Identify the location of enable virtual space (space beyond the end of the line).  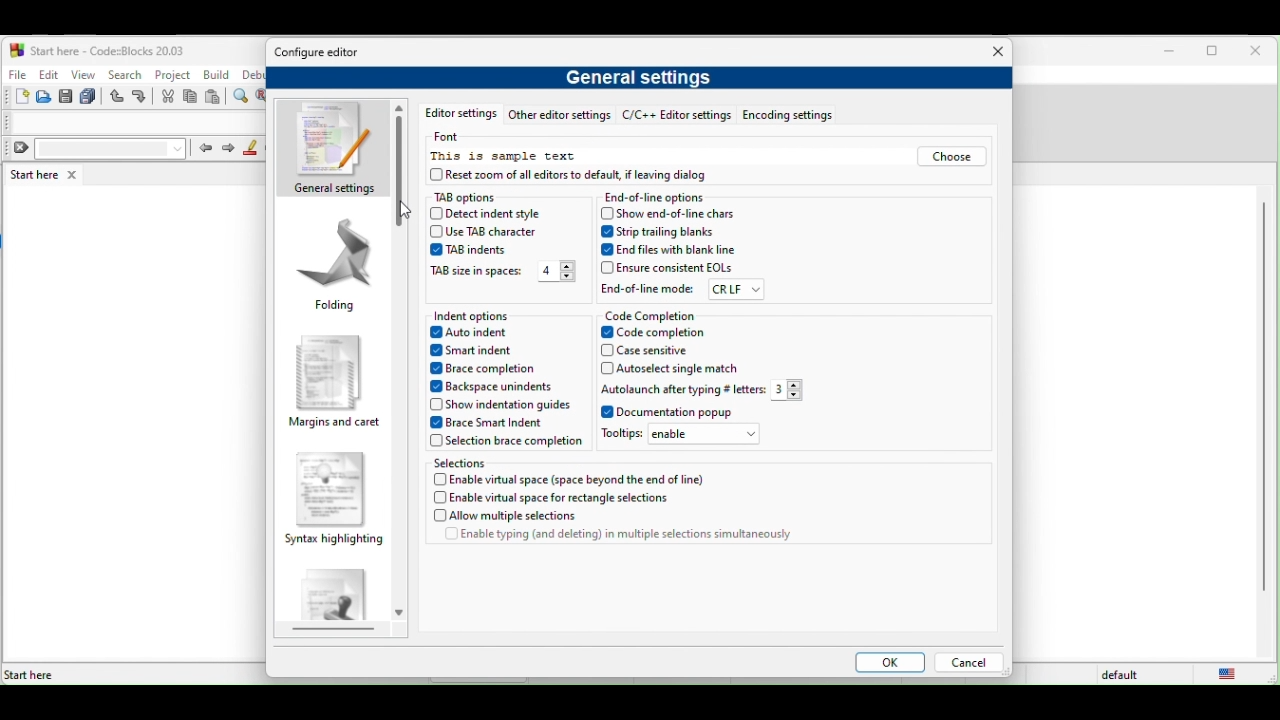
(573, 479).